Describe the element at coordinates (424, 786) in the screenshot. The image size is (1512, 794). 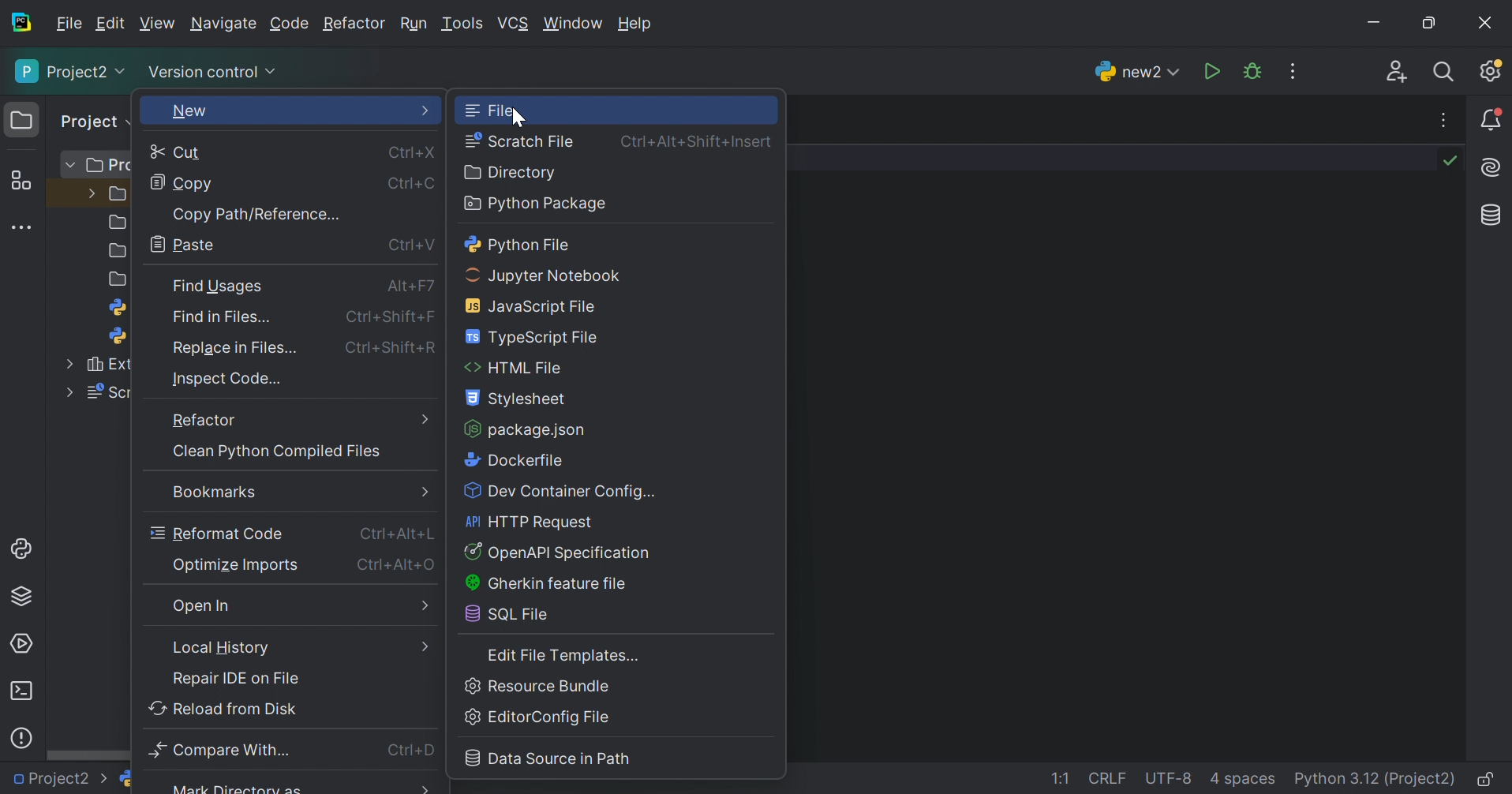
I see `More` at that location.